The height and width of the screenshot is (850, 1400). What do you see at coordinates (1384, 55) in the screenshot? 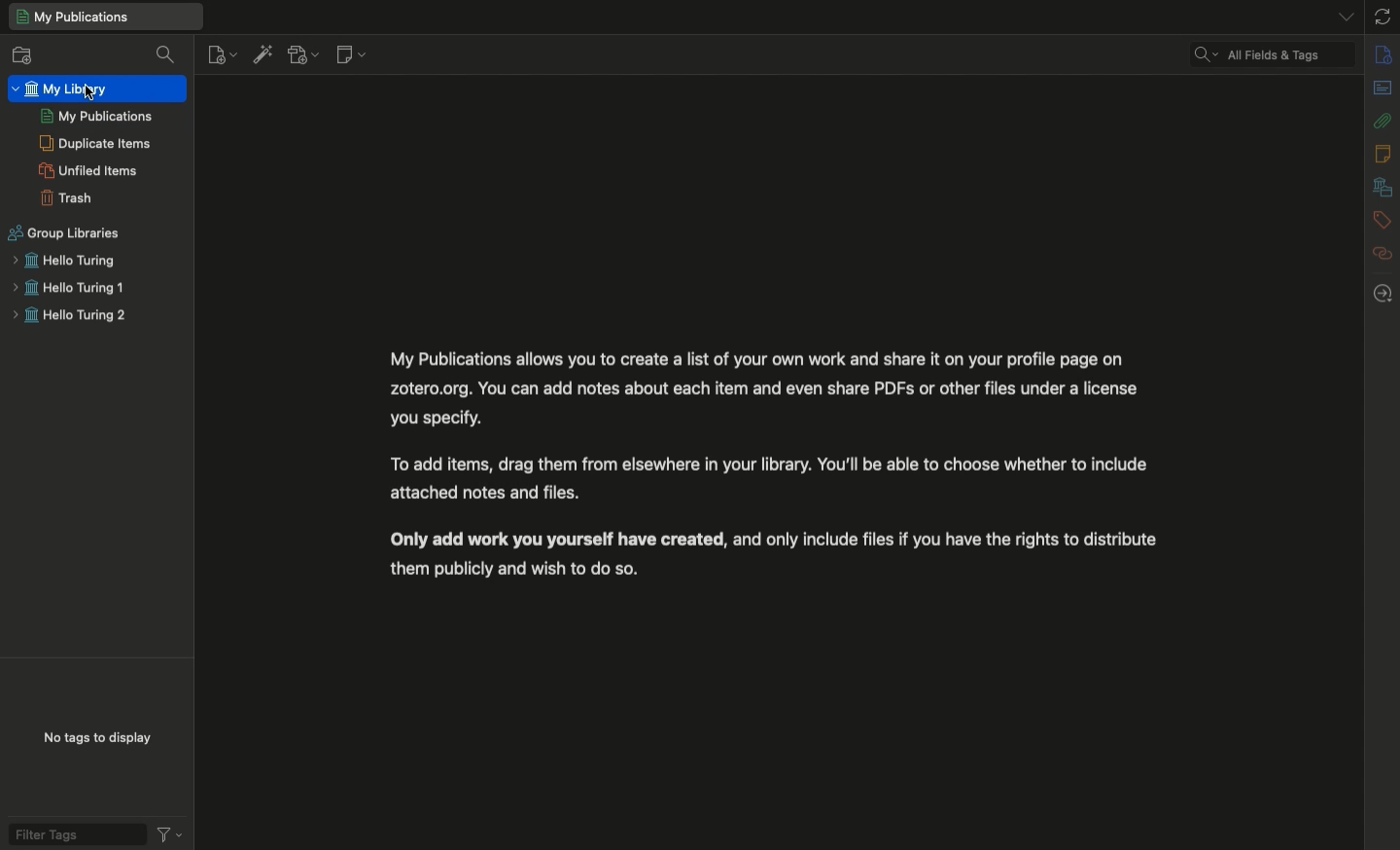
I see `Info` at bounding box center [1384, 55].